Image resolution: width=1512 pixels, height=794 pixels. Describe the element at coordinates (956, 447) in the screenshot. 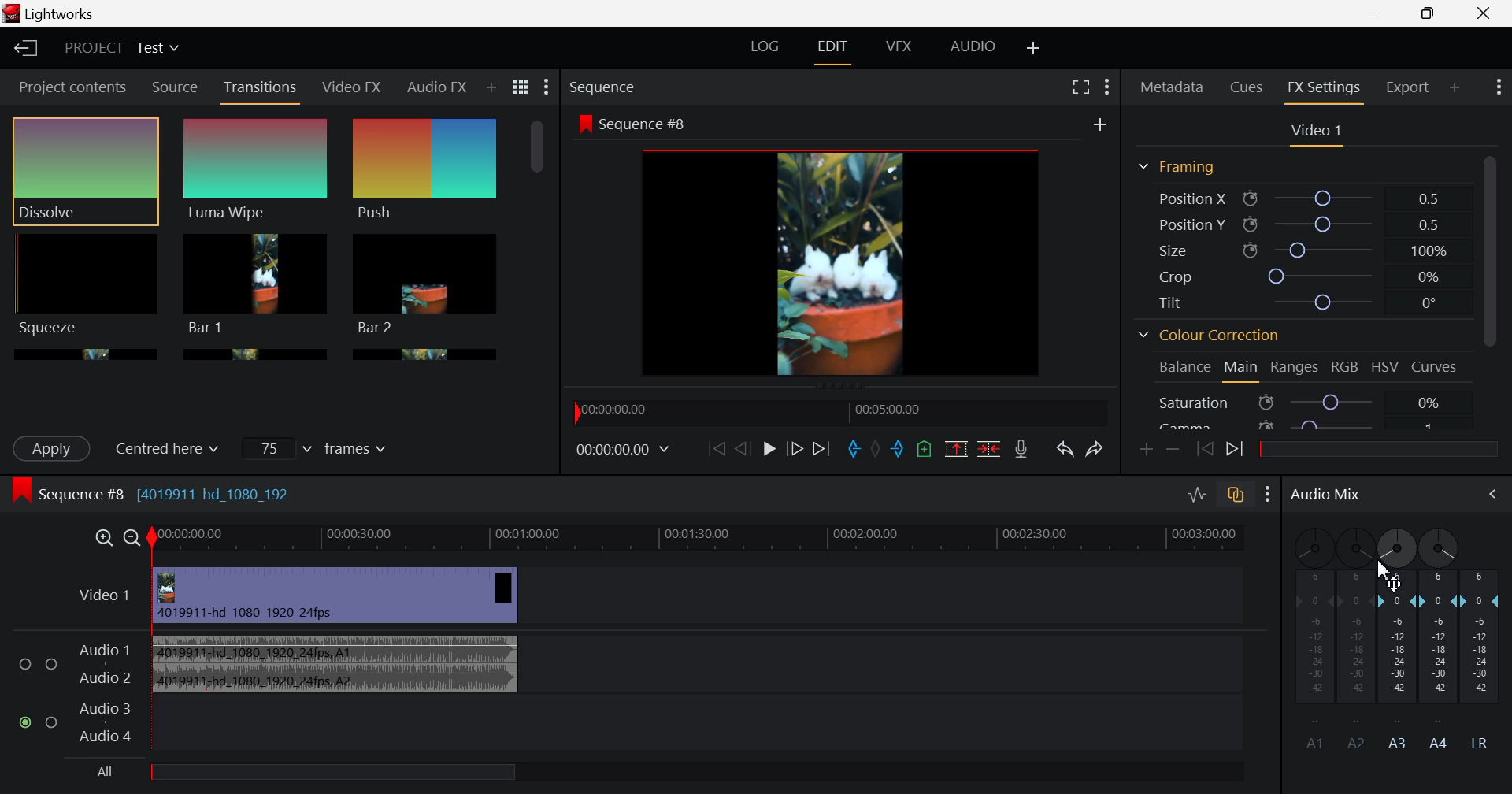

I see `Remove marked section` at that location.